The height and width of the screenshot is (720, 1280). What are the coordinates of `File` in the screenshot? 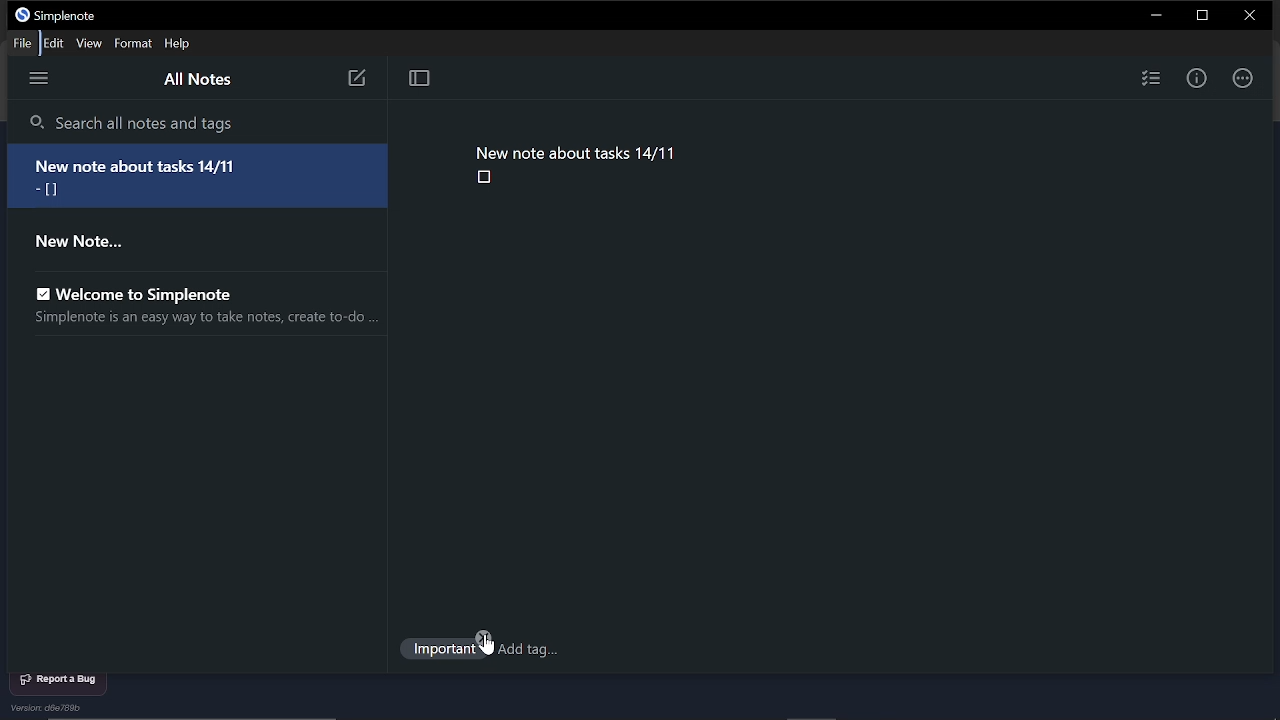 It's located at (20, 42).